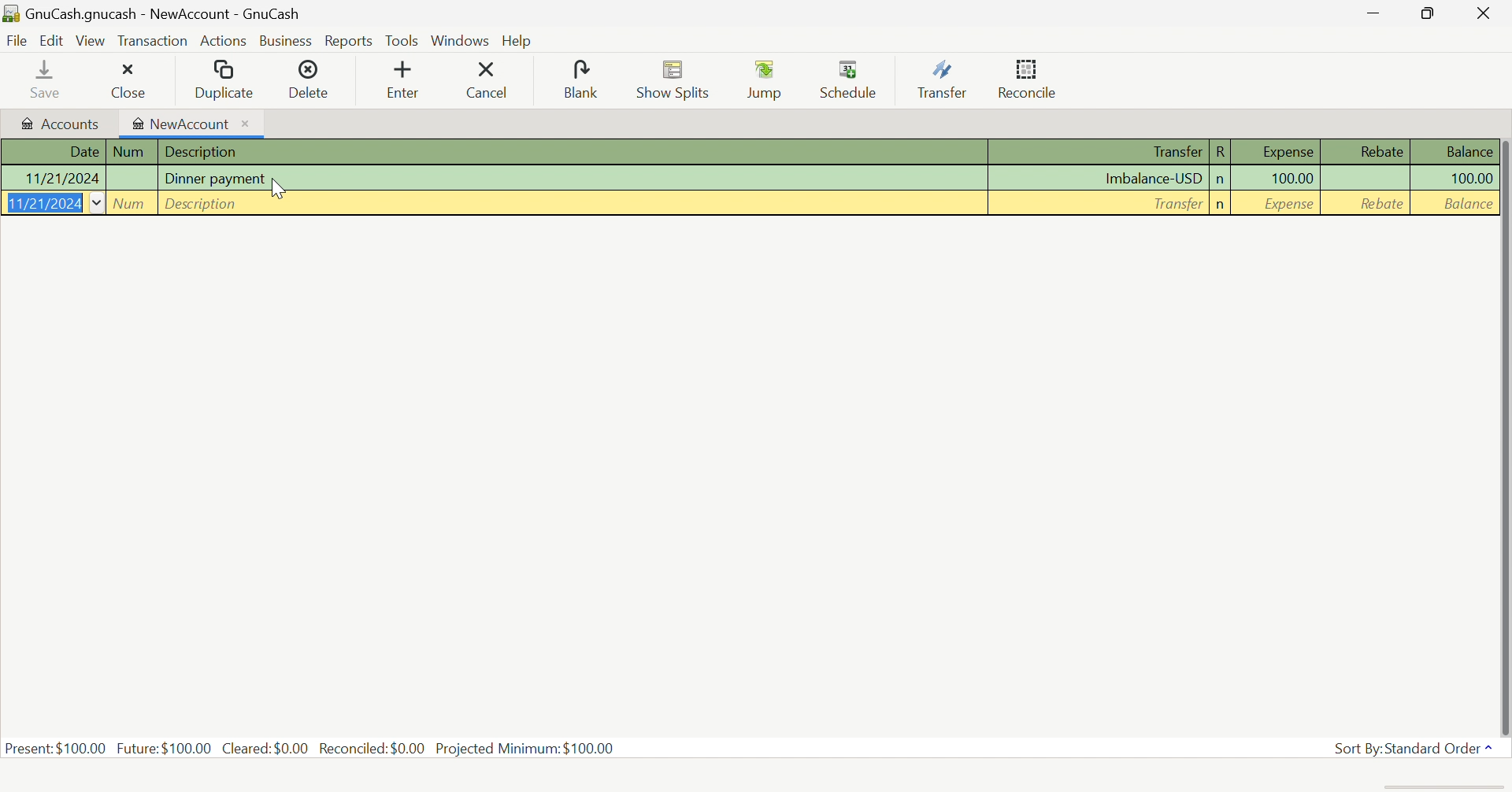 The height and width of the screenshot is (792, 1512). Describe the element at coordinates (1503, 438) in the screenshot. I see `scroll bar` at that location.